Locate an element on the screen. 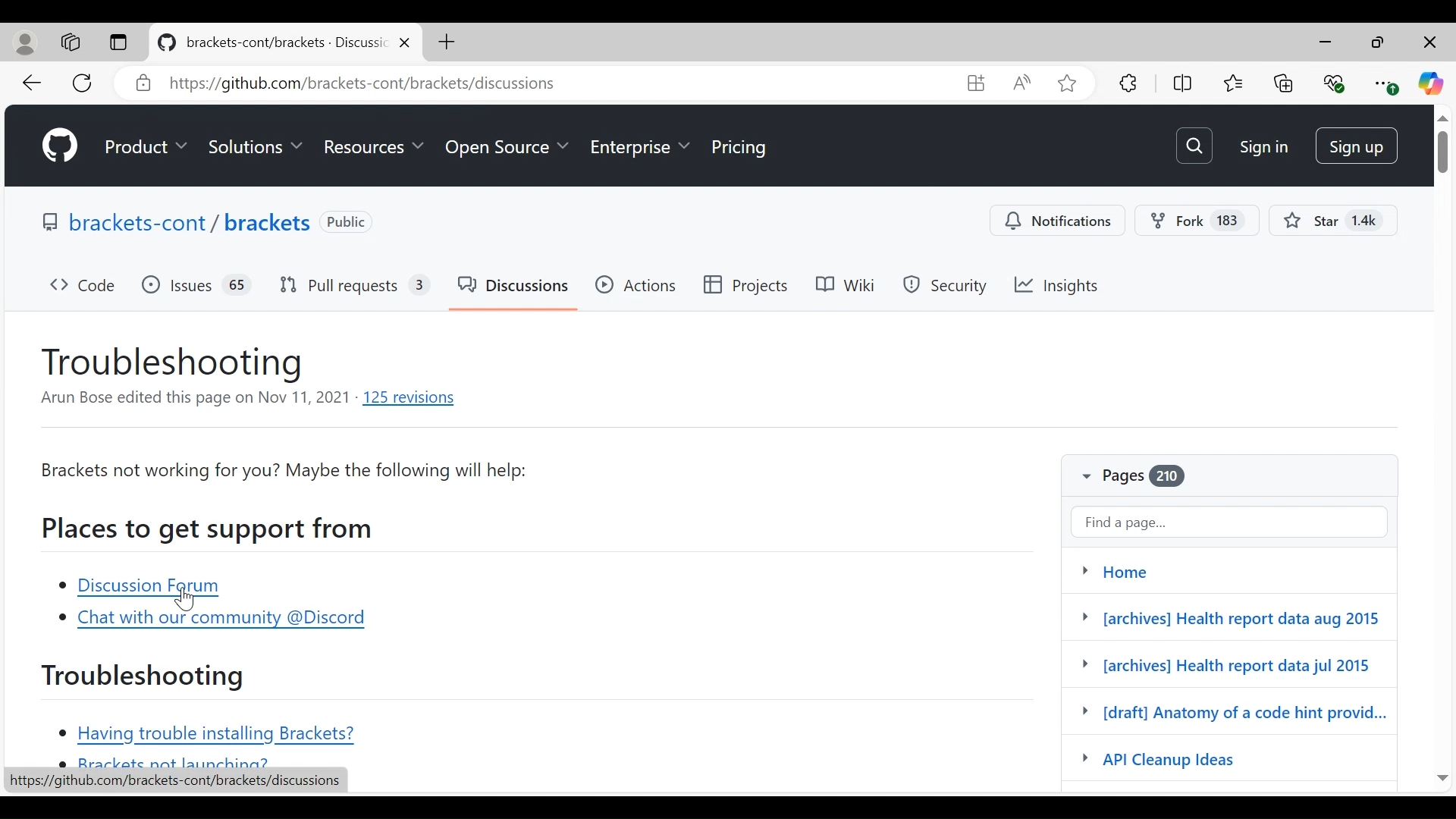 The height and width of the screenshot is (819, 1456). Star  is located at coordinates (1335, 220).